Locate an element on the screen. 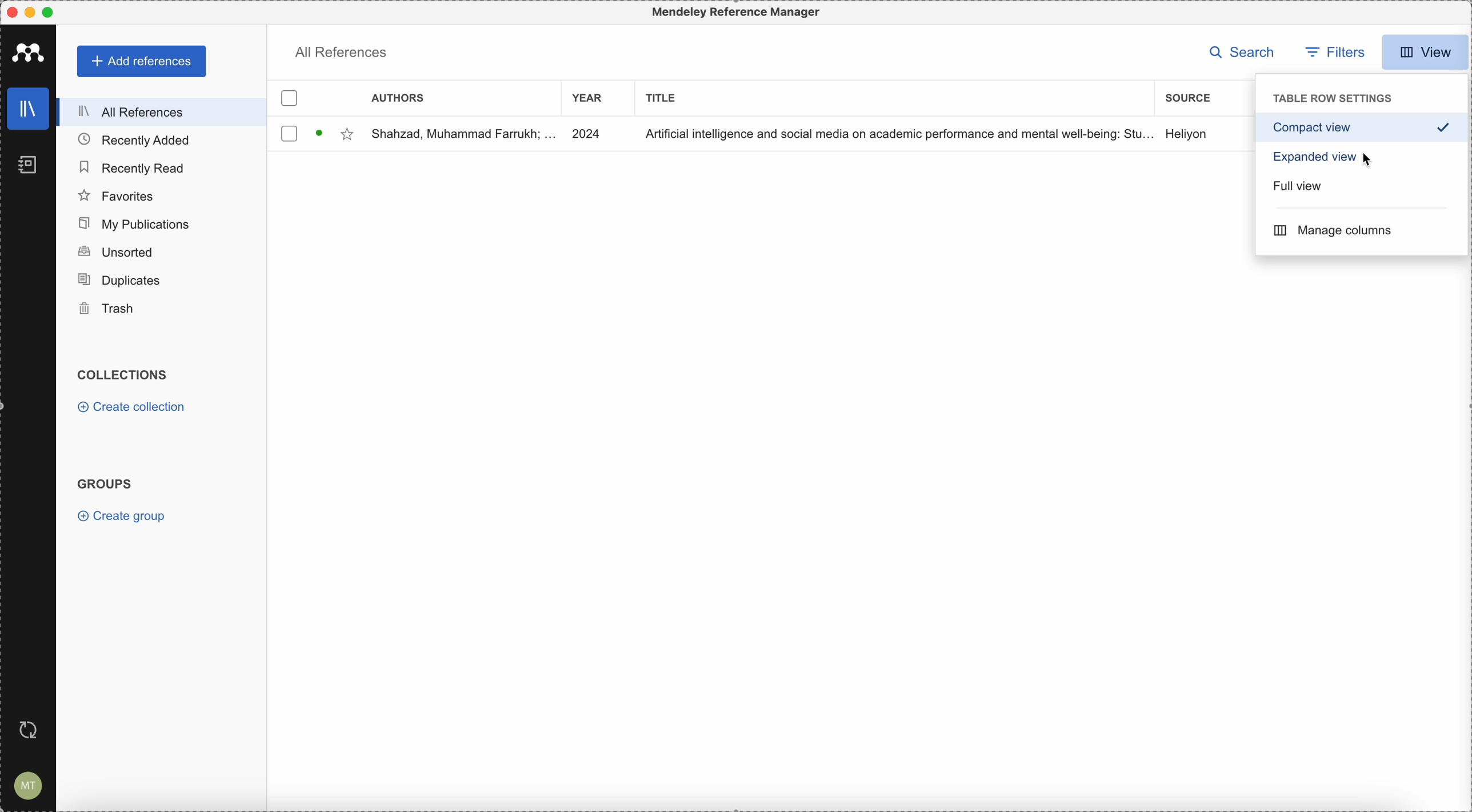 The image size is (1472, 812). trash is located at coordinates (105, 309).